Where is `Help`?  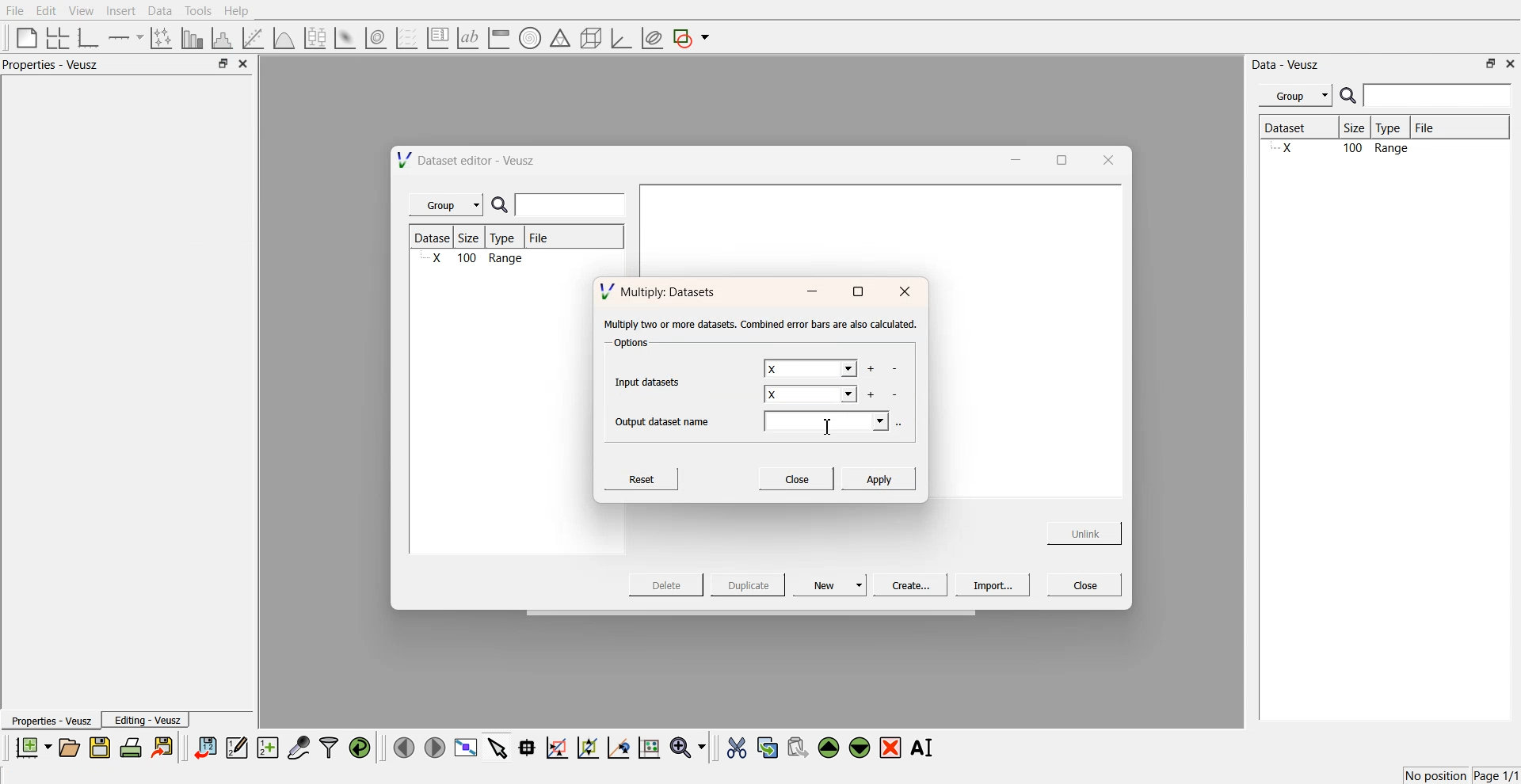
Help is located at coordinates (242, 13).